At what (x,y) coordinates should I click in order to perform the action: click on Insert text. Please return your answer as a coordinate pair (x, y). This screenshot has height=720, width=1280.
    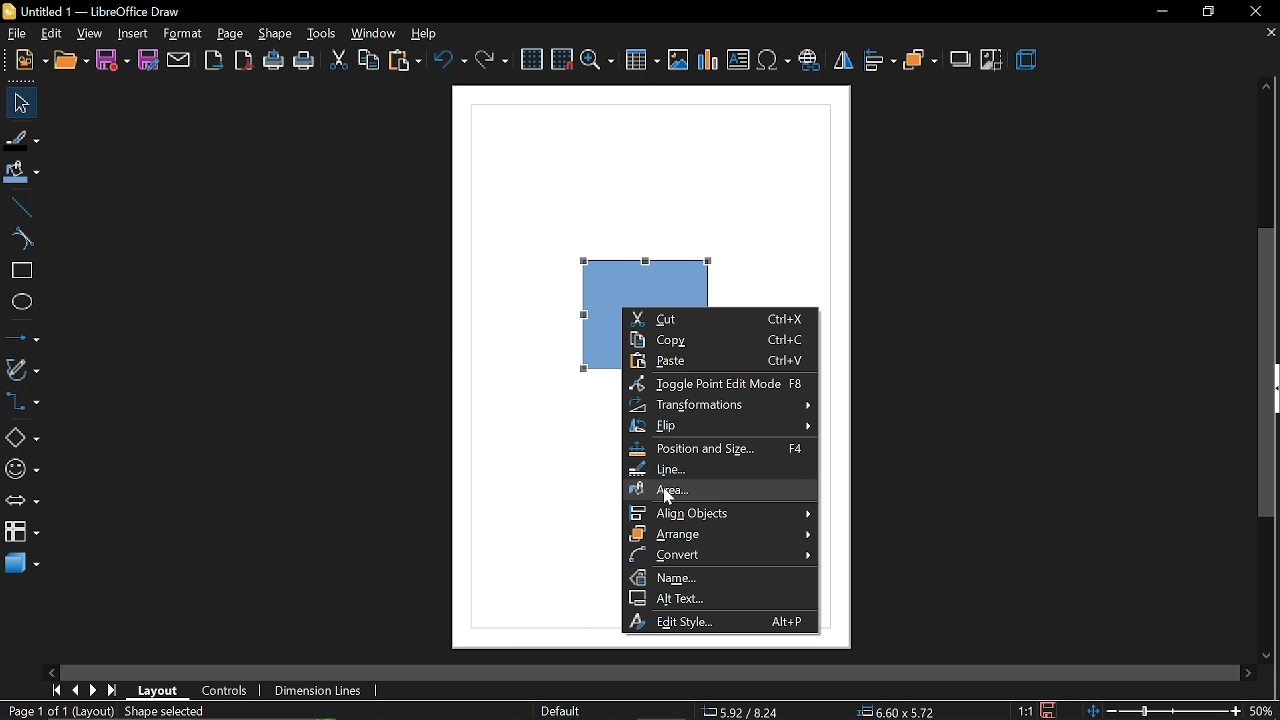
    Looking at the image, I should click on (738, 61).